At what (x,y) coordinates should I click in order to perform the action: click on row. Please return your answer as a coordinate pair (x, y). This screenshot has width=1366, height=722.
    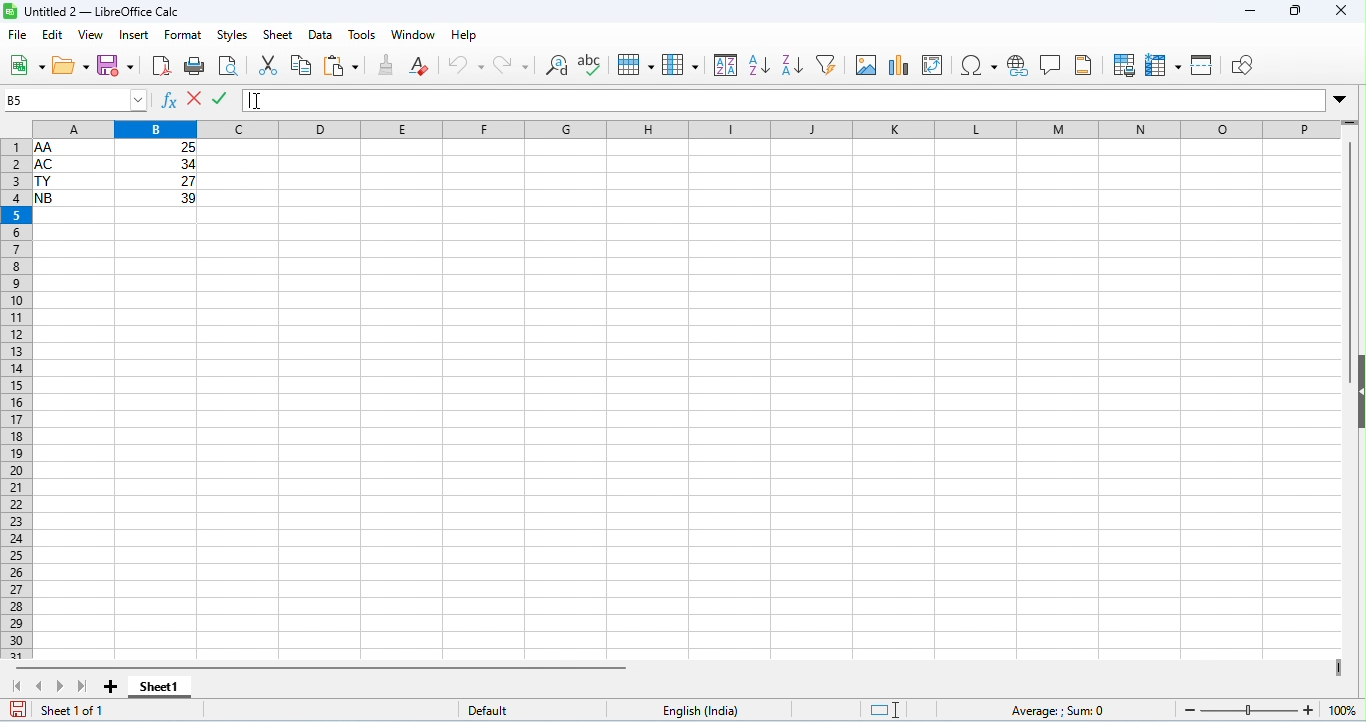
    Looking at the image, I should click on (636, 65).